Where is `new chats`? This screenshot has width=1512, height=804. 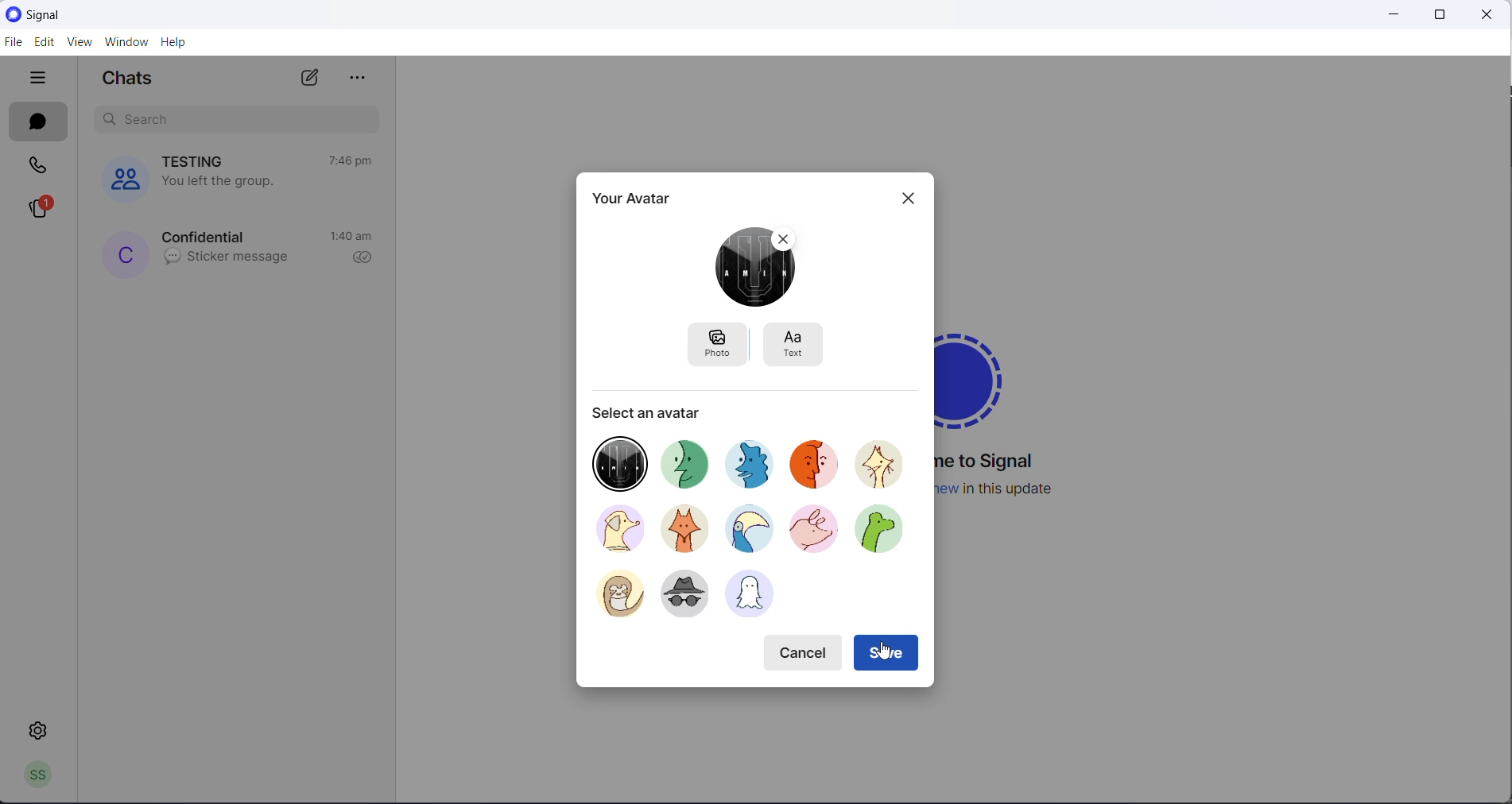 new chats is located at coordinates (314, 77).